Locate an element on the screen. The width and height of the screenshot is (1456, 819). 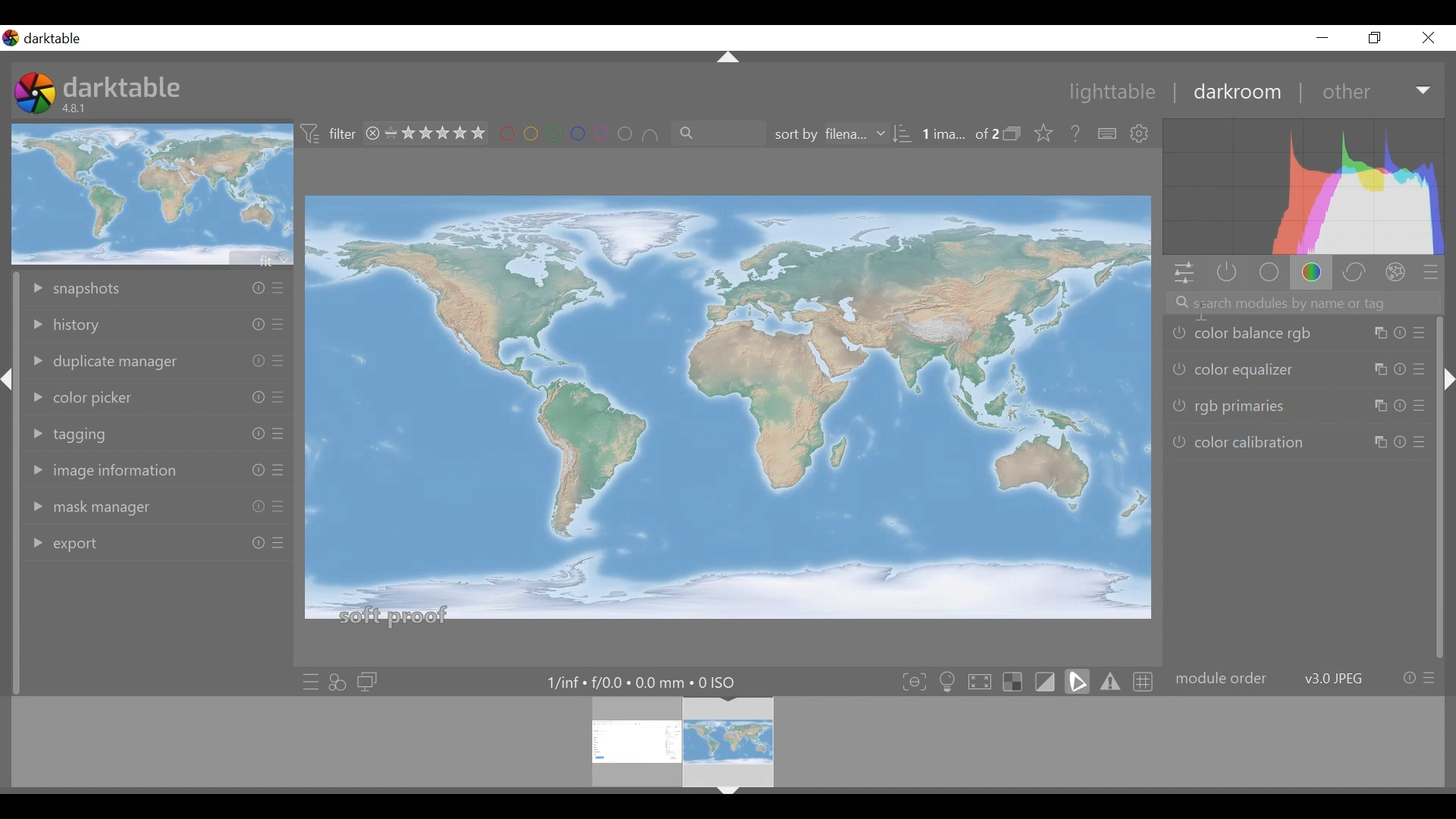
 is located at coordinates (1417, 409).